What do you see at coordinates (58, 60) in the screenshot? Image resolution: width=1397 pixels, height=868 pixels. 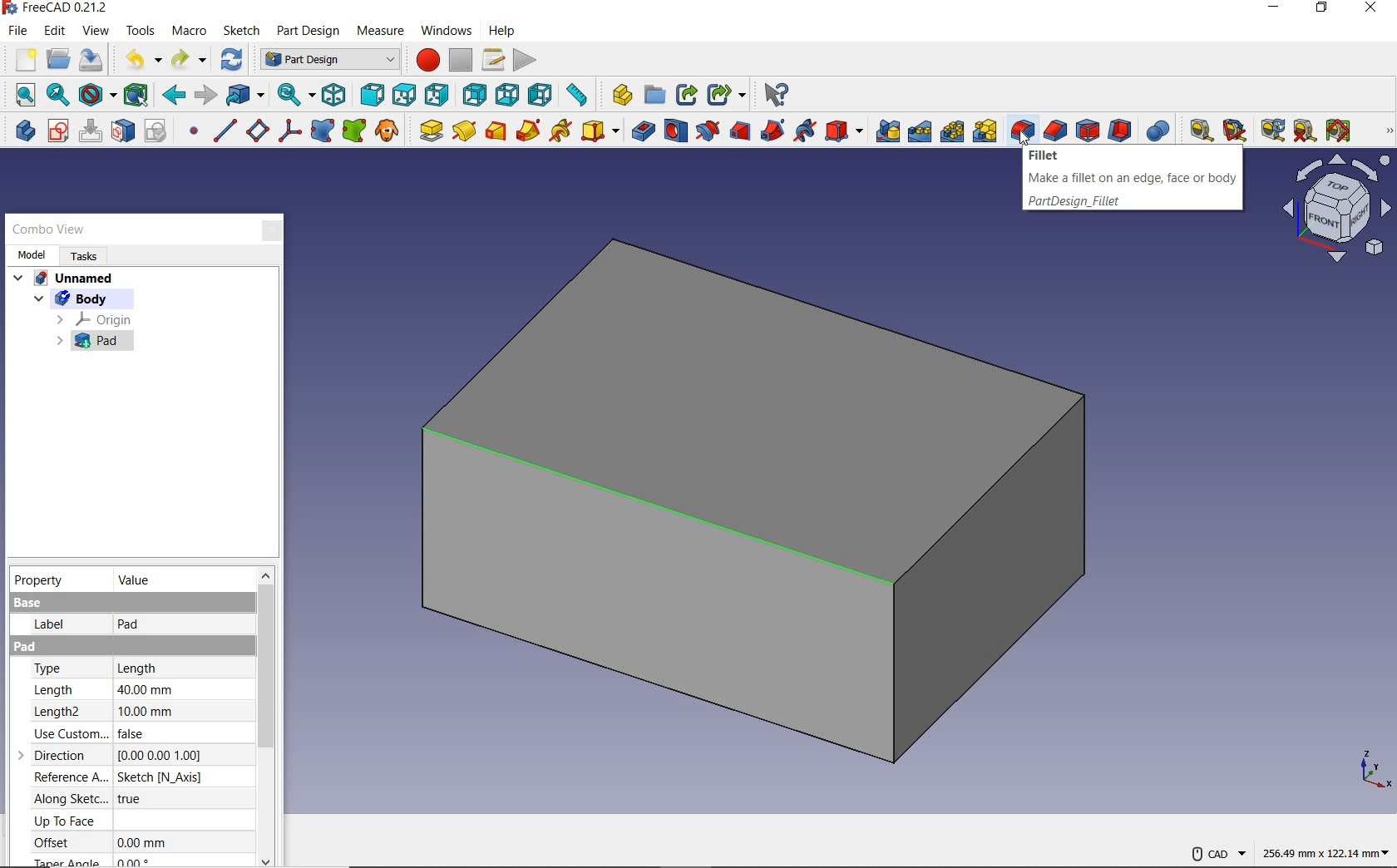 I see `open` at bounding box center [58, 60].